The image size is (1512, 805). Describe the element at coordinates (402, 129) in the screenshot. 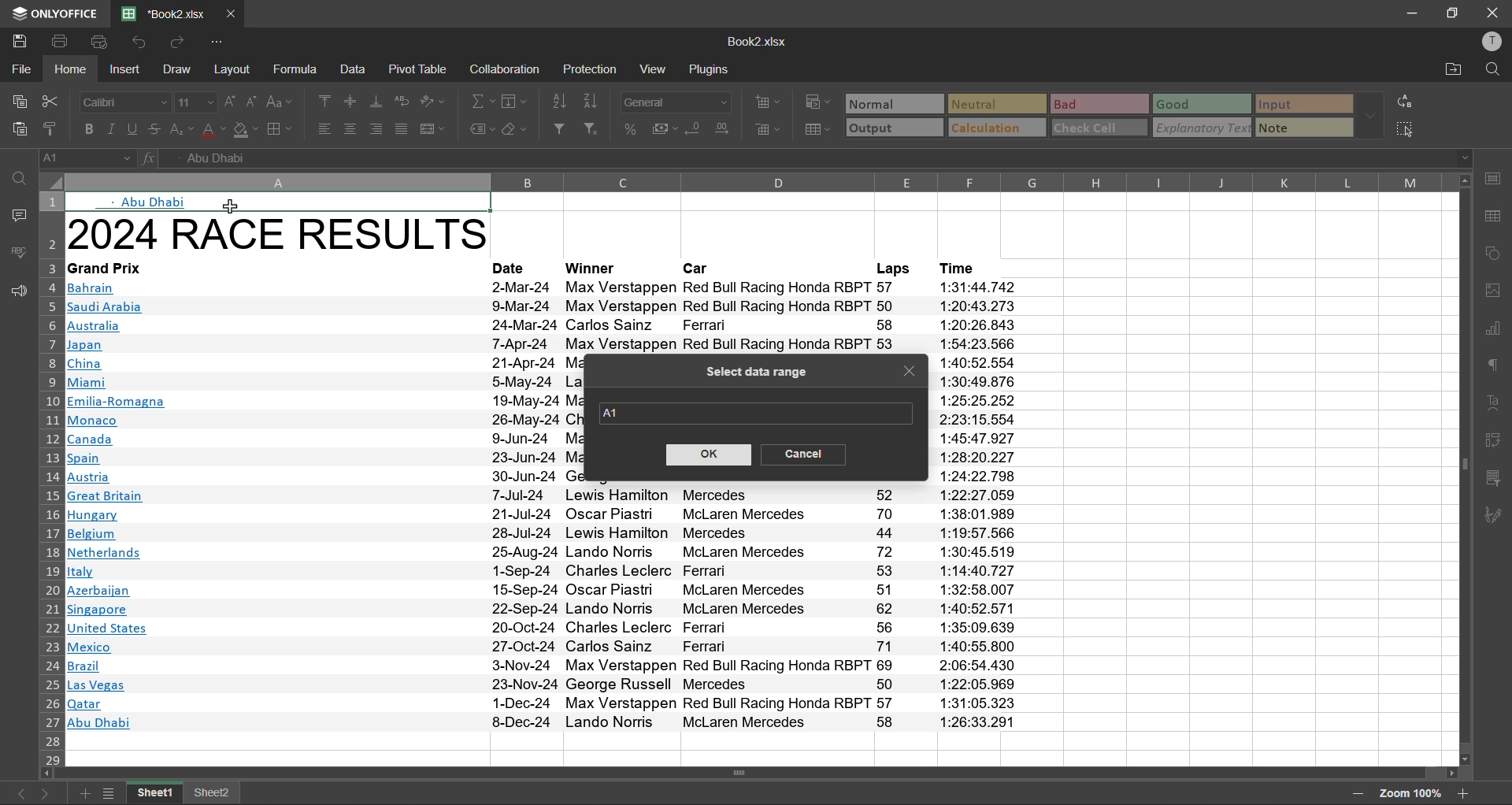

I see `justified` at that location.